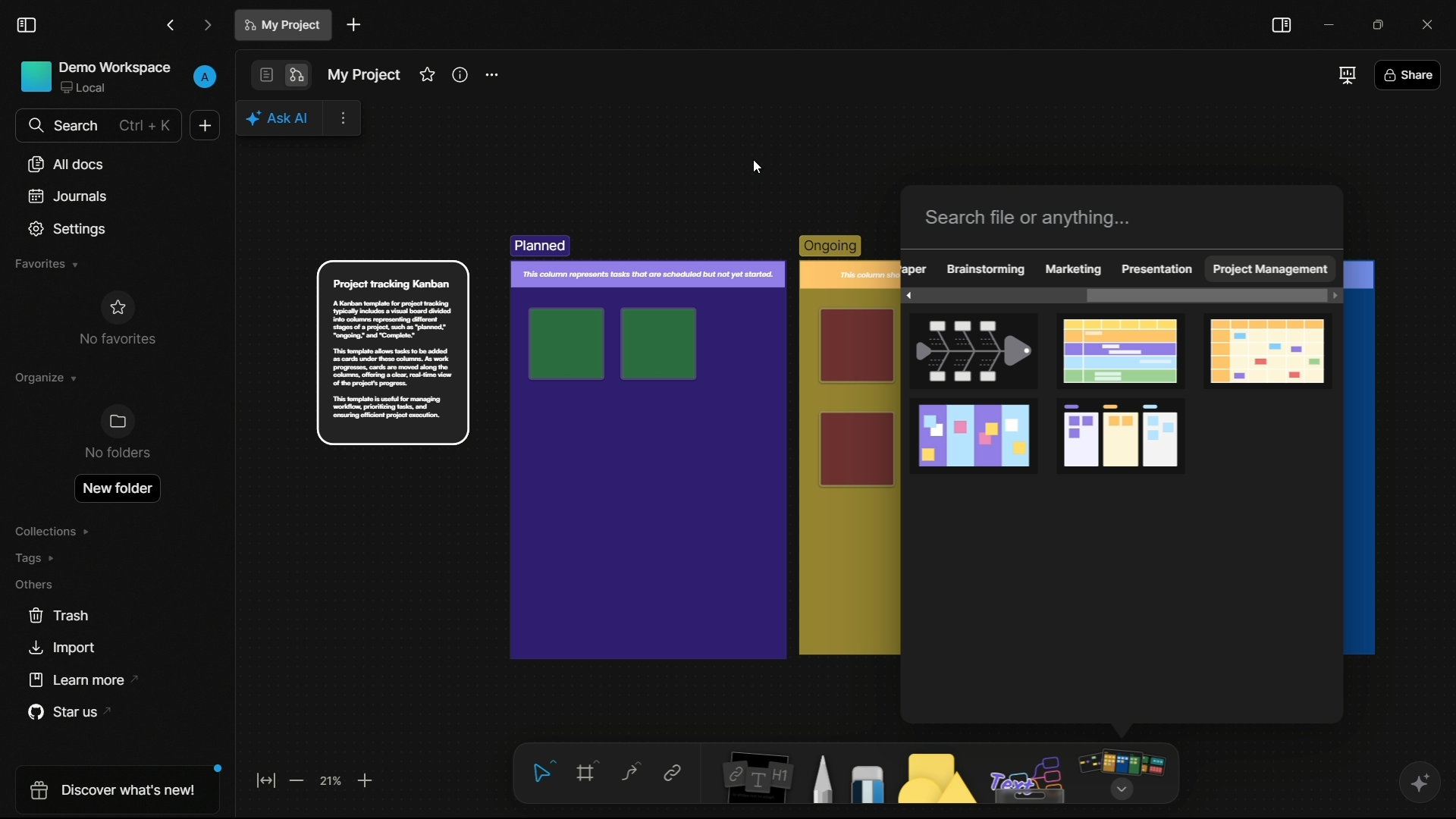 The height and width of the screenshot is (819, 1456). What do you see at coordinates (868, 783) in the screenshot?
I see `eraser` at bounding box center [868, 783].